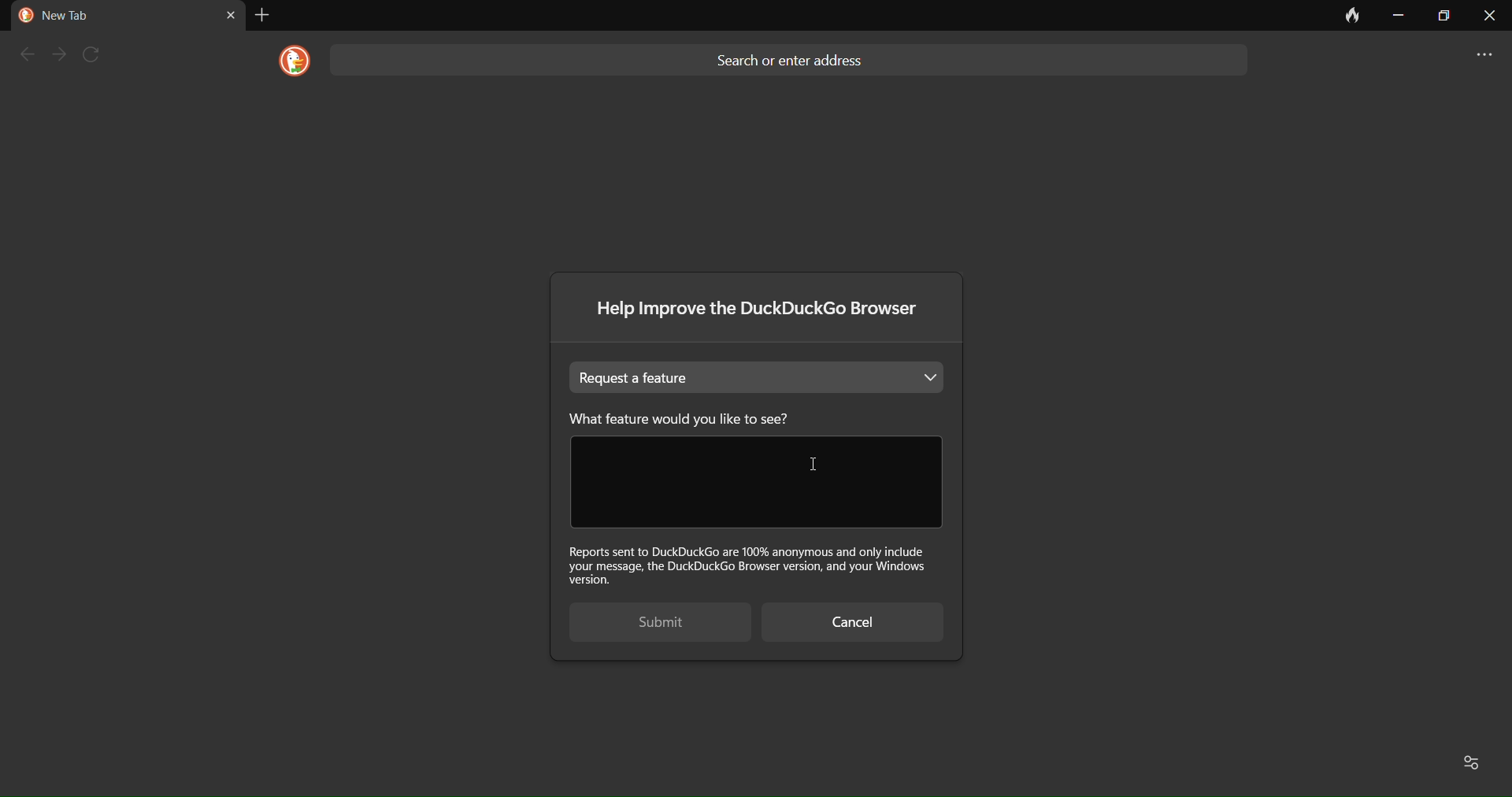  What do you see at coordinates (1441, 16) in the screenshot?
I see `maximize` at bounding box center [1441, 16].